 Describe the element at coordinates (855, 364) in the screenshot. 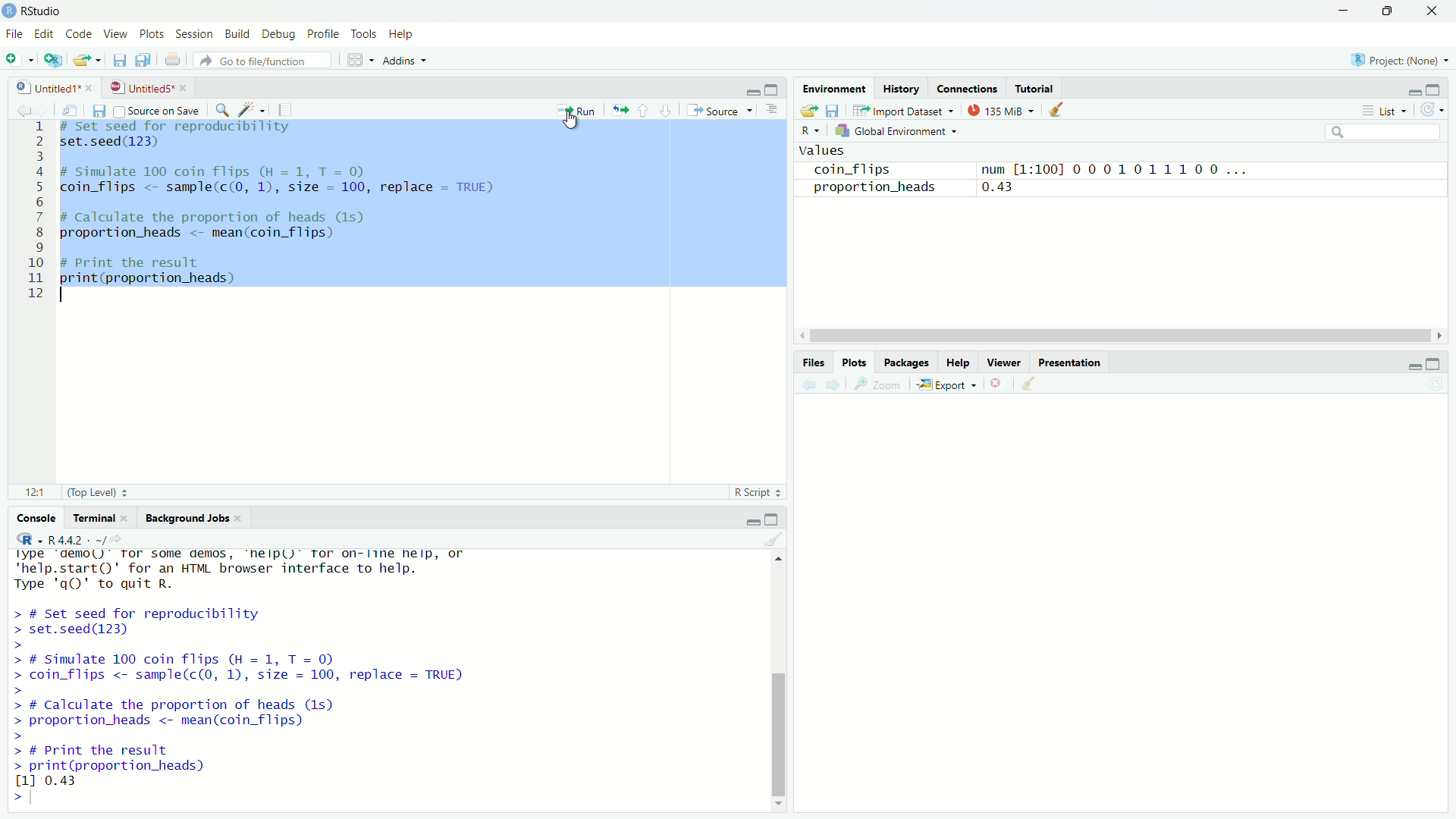

I see `Plots` at that location.